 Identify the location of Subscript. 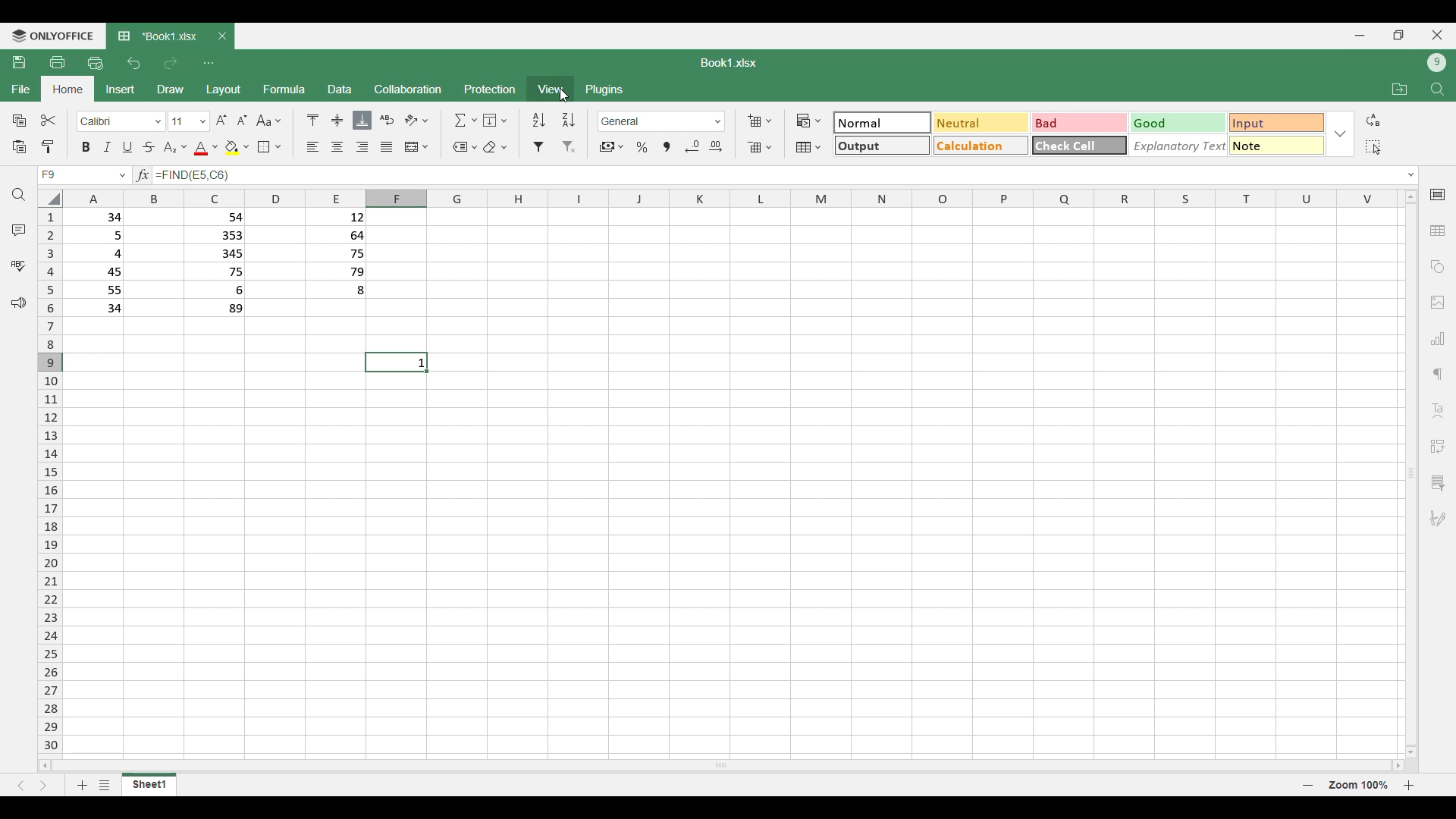
(176, 148).